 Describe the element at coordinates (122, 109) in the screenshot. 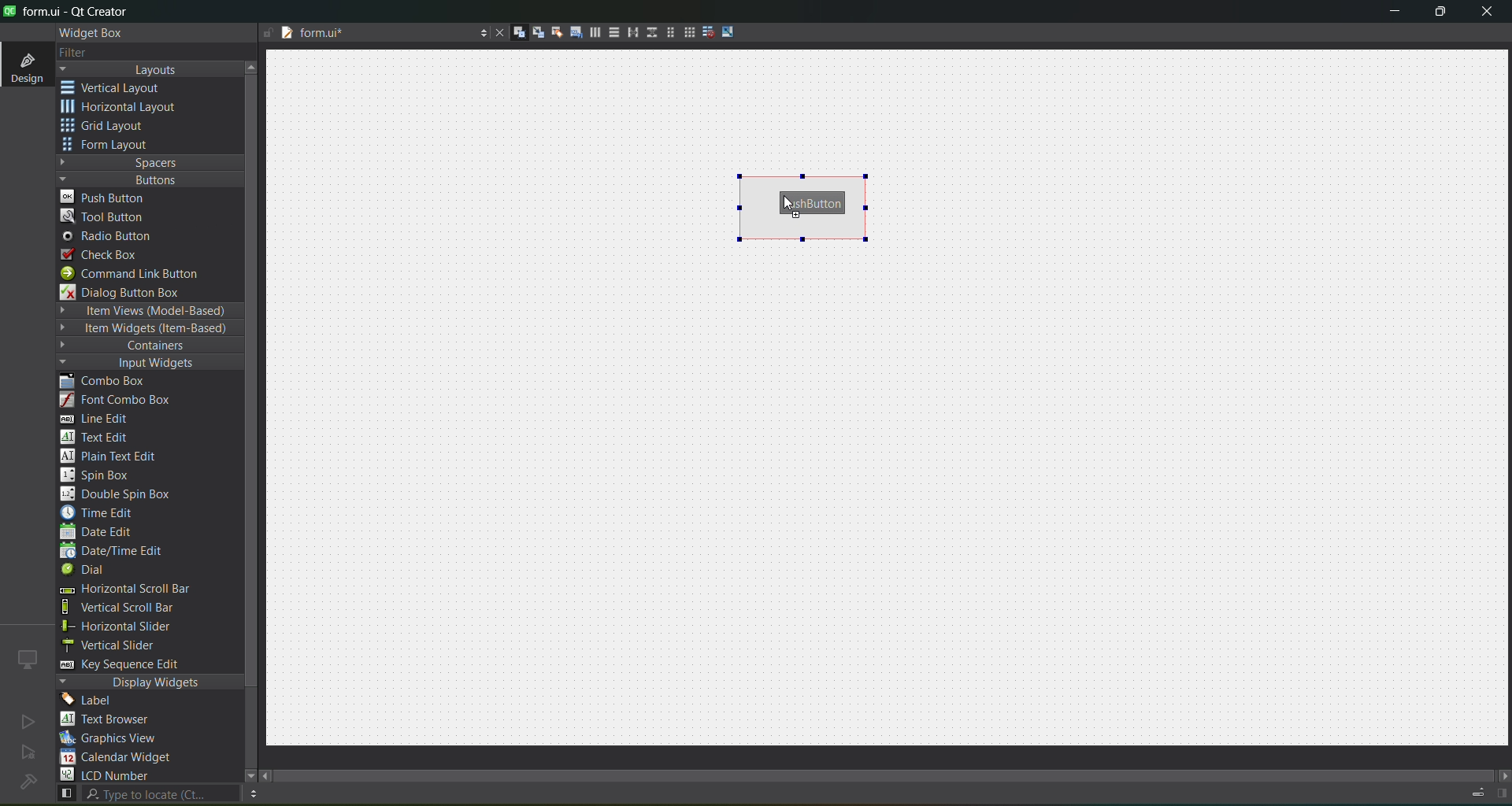

I see `horizontal` at that location.